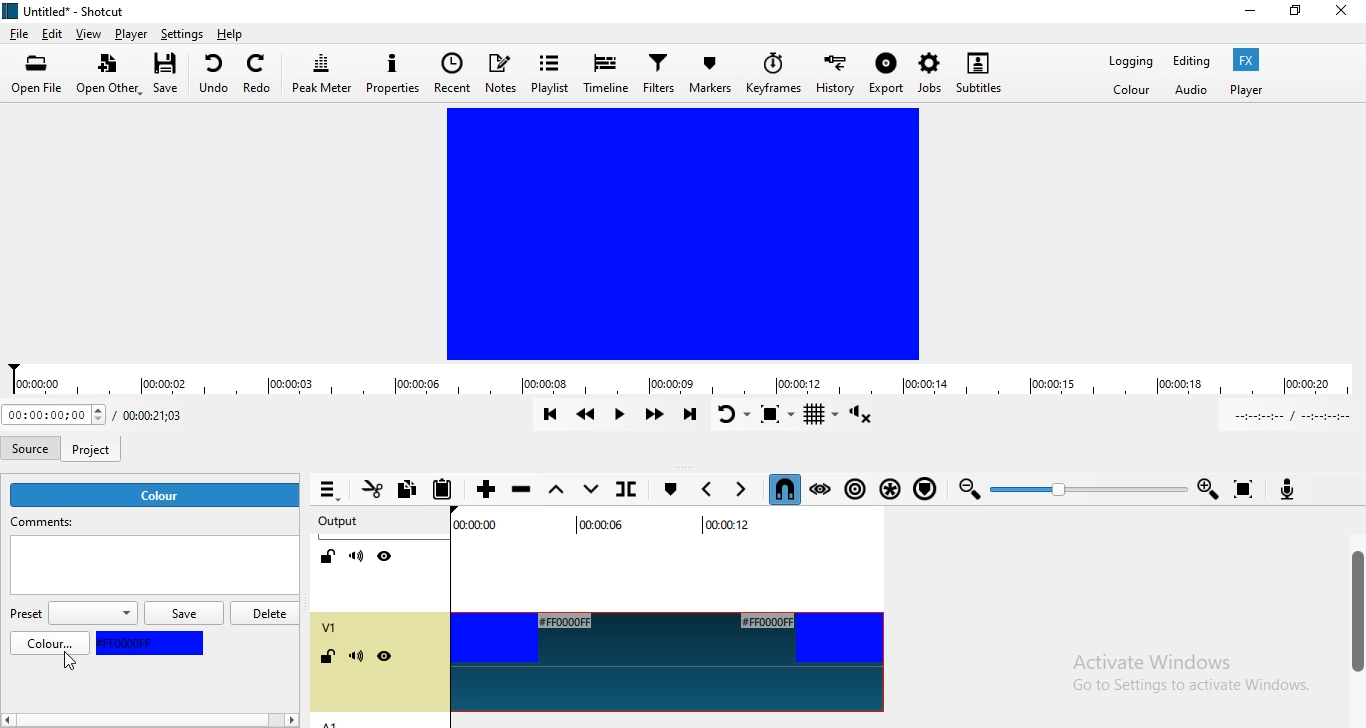  I want to click on In point, so click(1287, 416).